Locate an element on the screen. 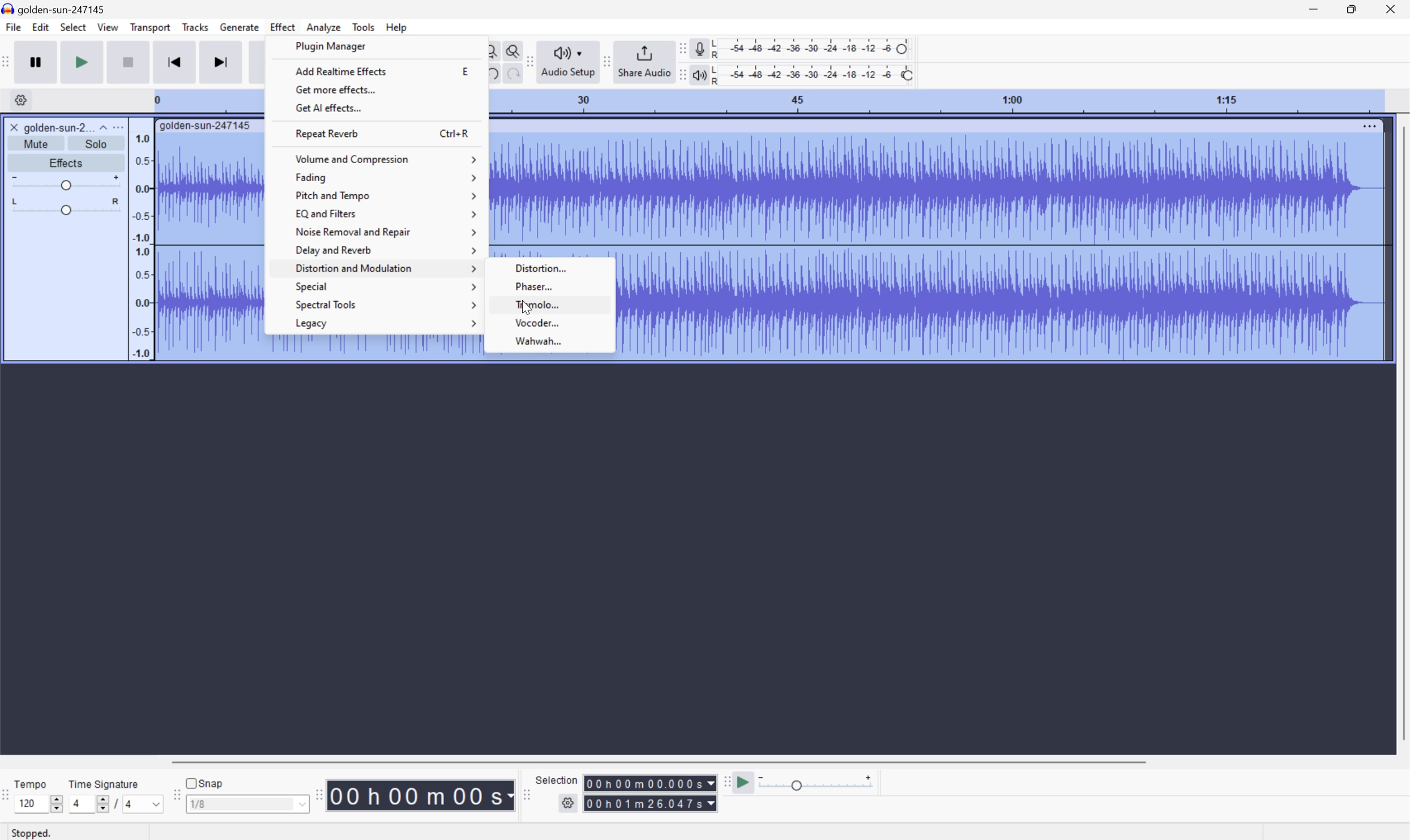 The width and height of the screenshot is (1410, 840). Playback level: 100% is located at coordinates (814, 74).